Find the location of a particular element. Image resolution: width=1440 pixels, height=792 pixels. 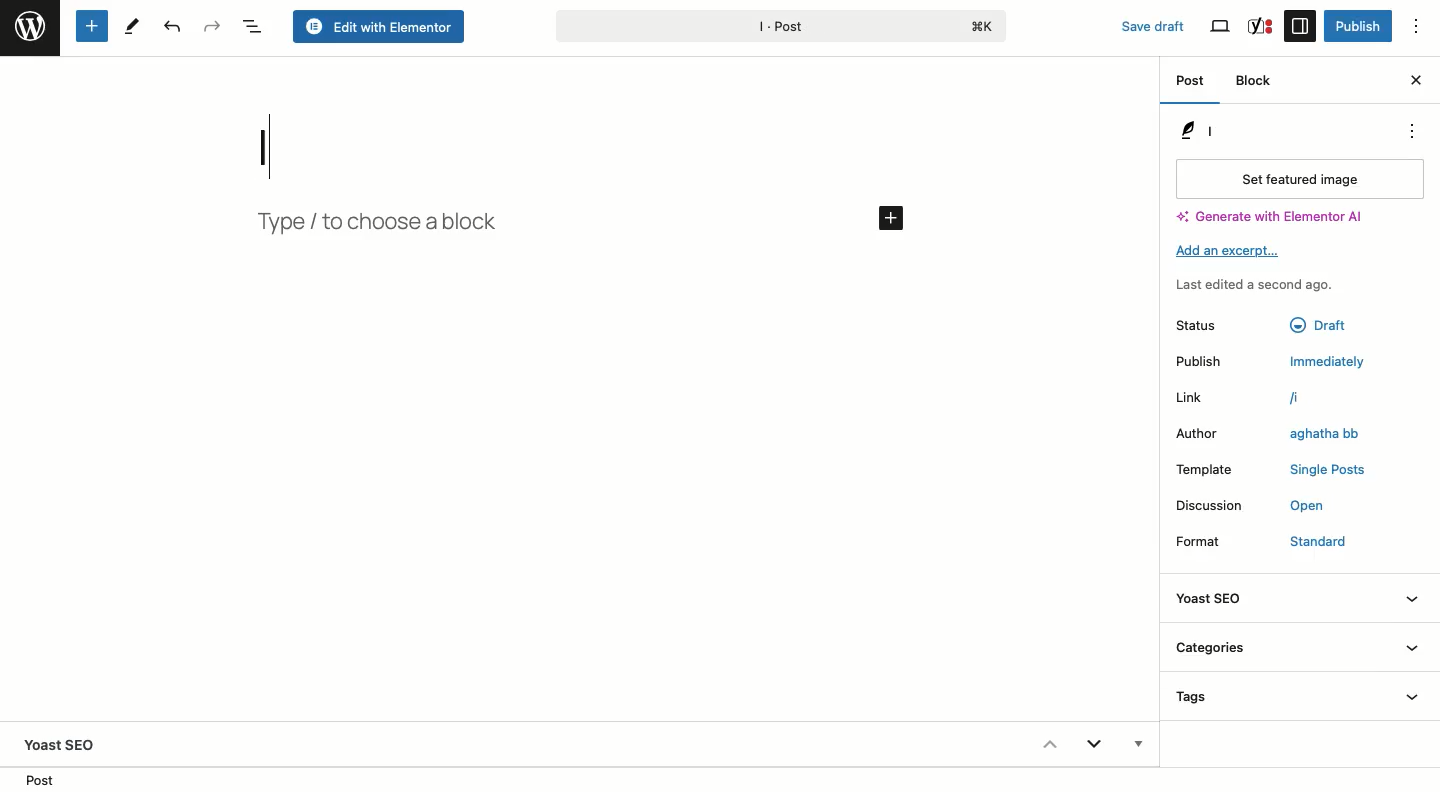

Post is located at coordinates (1192, 84).